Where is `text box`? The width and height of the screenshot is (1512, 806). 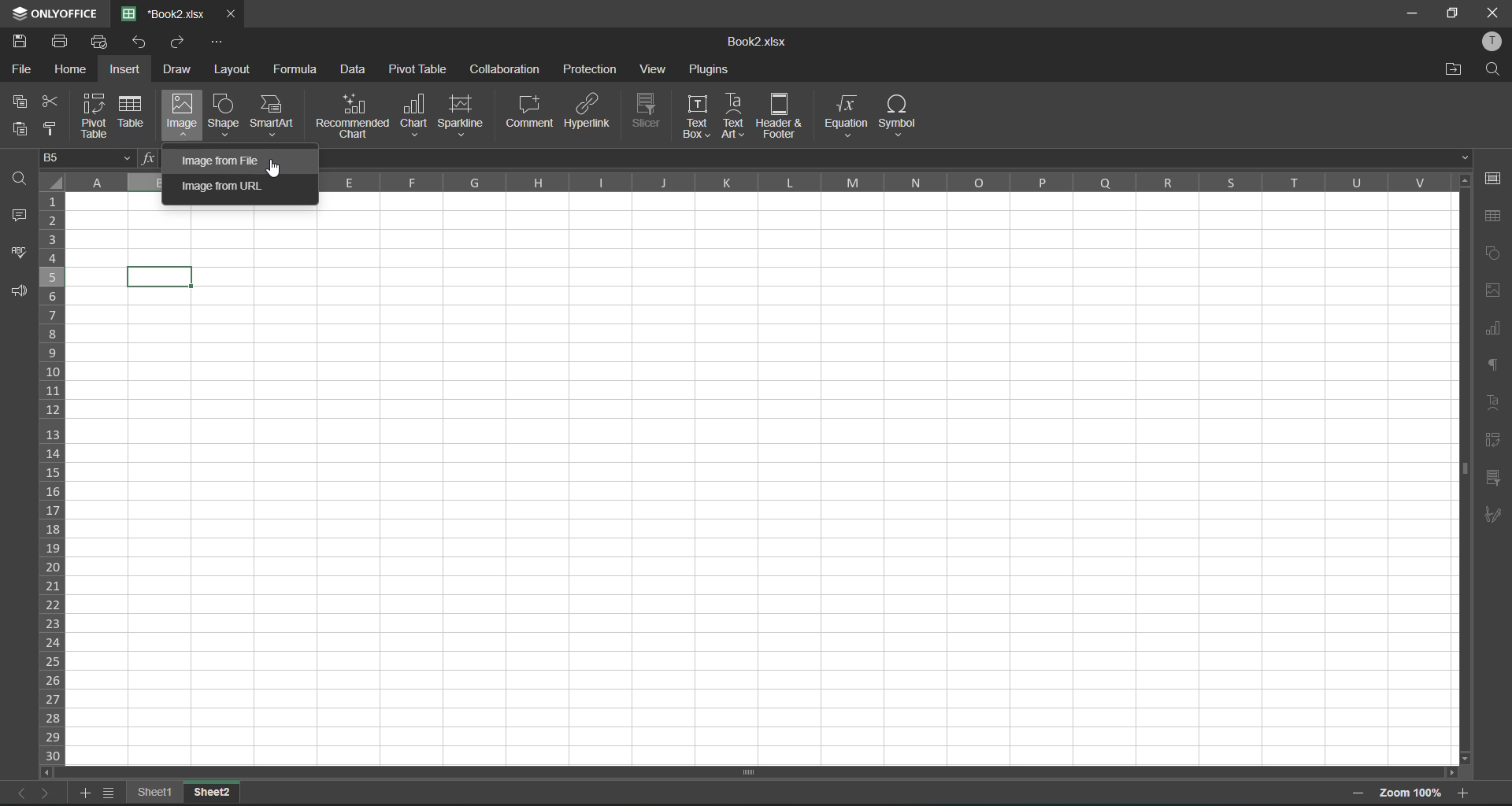
text box is located at coordinates (699, 116).